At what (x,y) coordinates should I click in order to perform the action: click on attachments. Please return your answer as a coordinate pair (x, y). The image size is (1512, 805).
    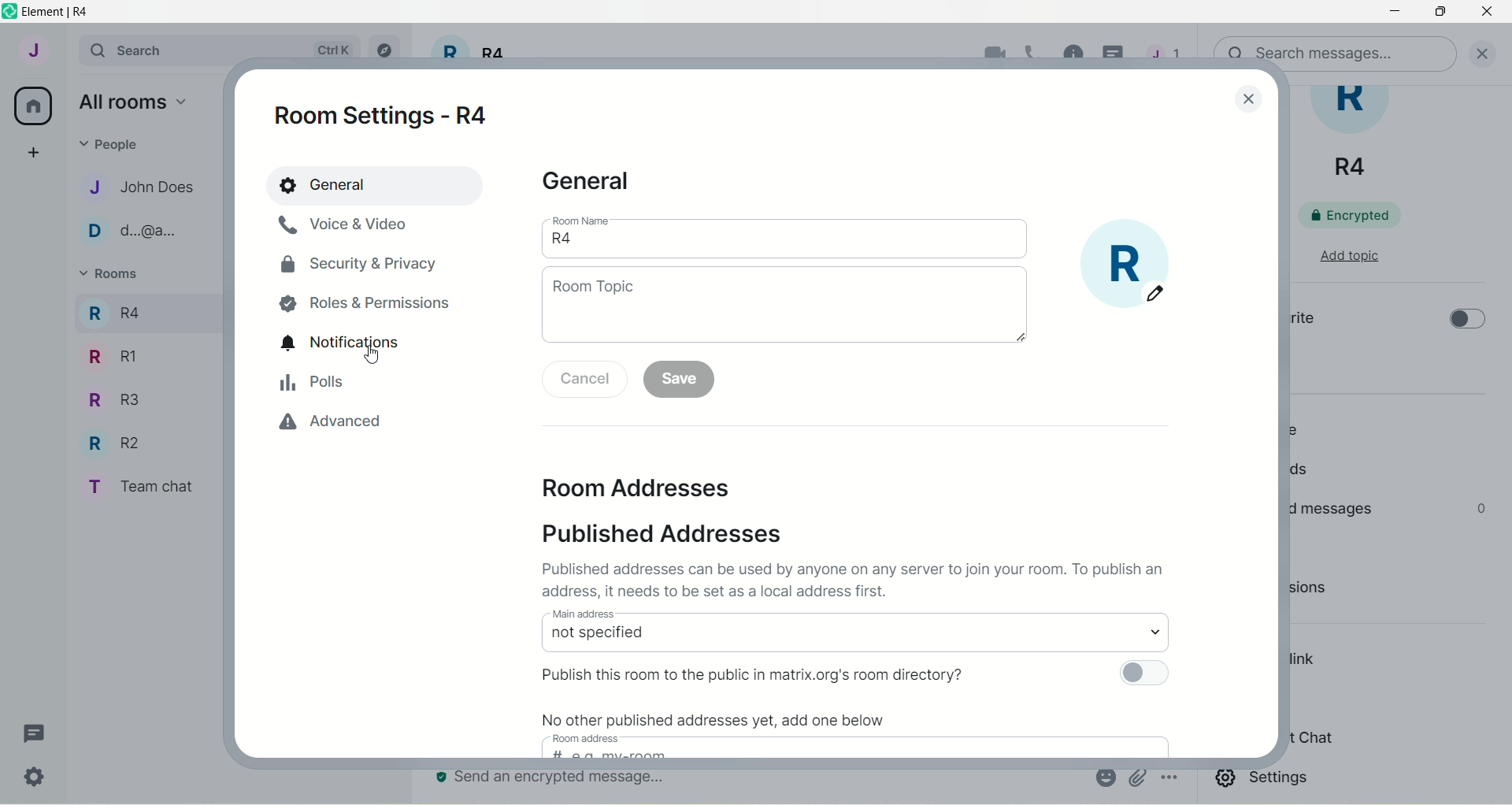
    Looking at the image, I should click on (1137, 778).